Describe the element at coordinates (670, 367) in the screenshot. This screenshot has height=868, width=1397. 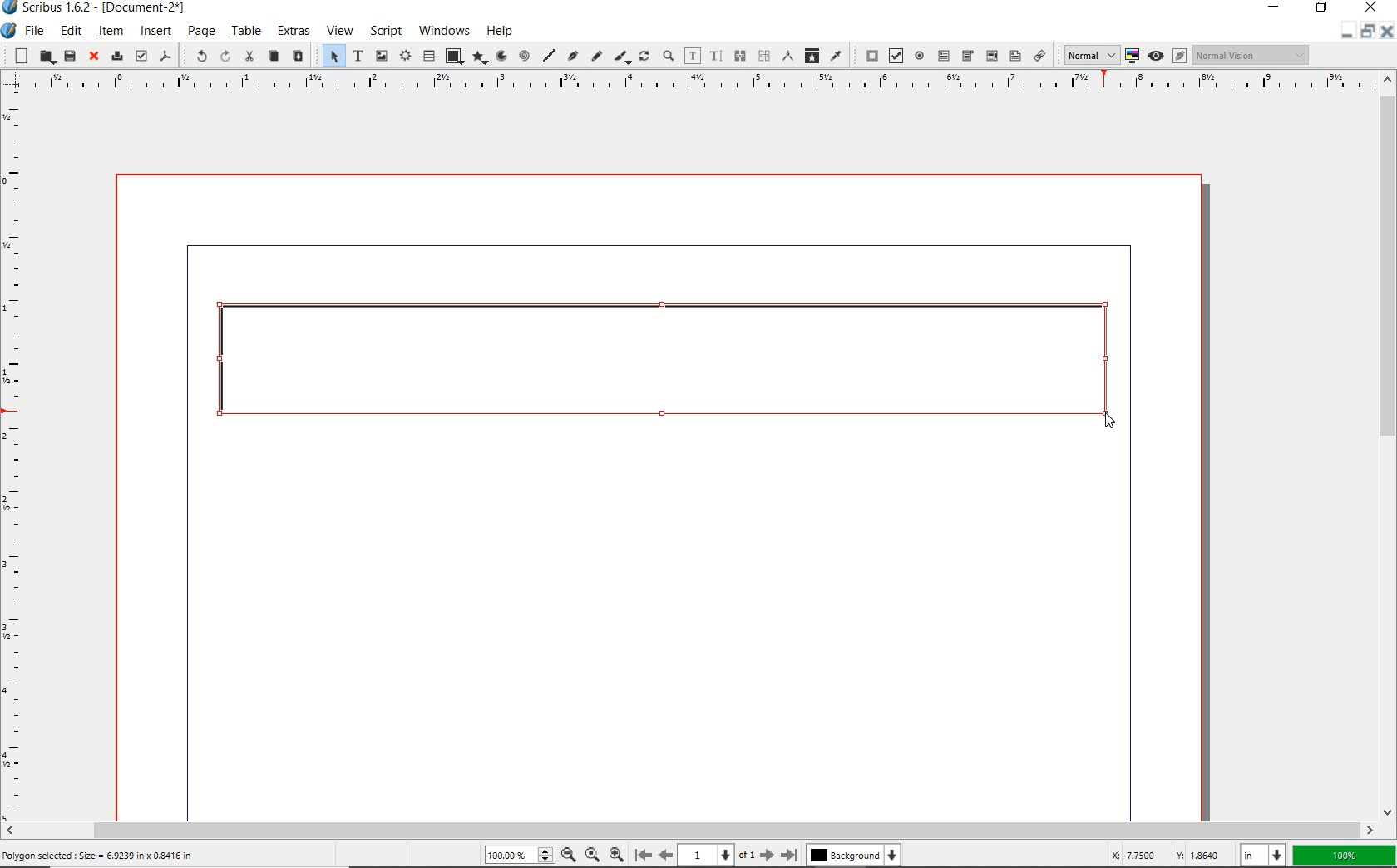
I see `drawn rectangle` at that location.